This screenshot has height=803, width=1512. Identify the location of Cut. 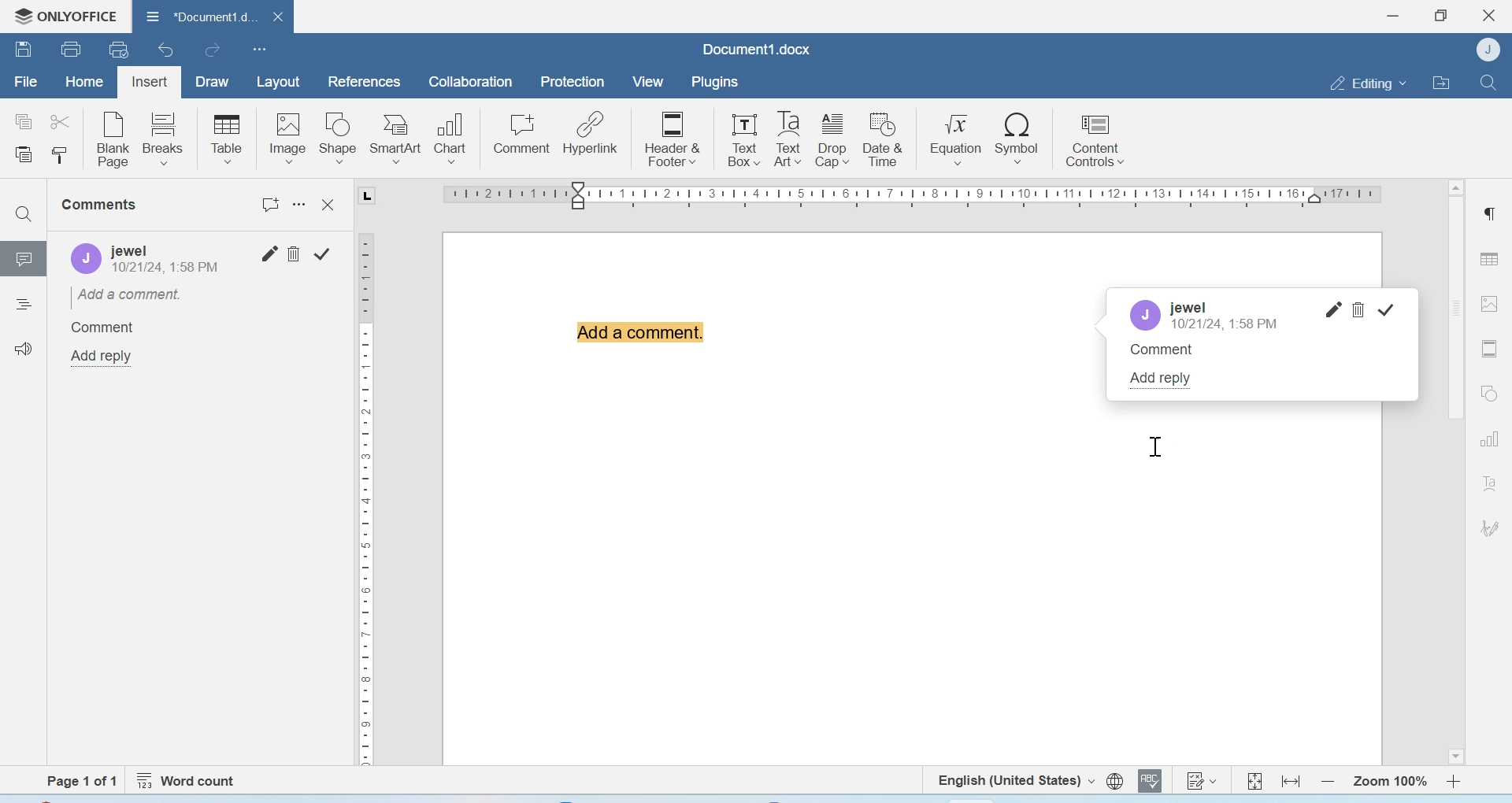
(59, 120).